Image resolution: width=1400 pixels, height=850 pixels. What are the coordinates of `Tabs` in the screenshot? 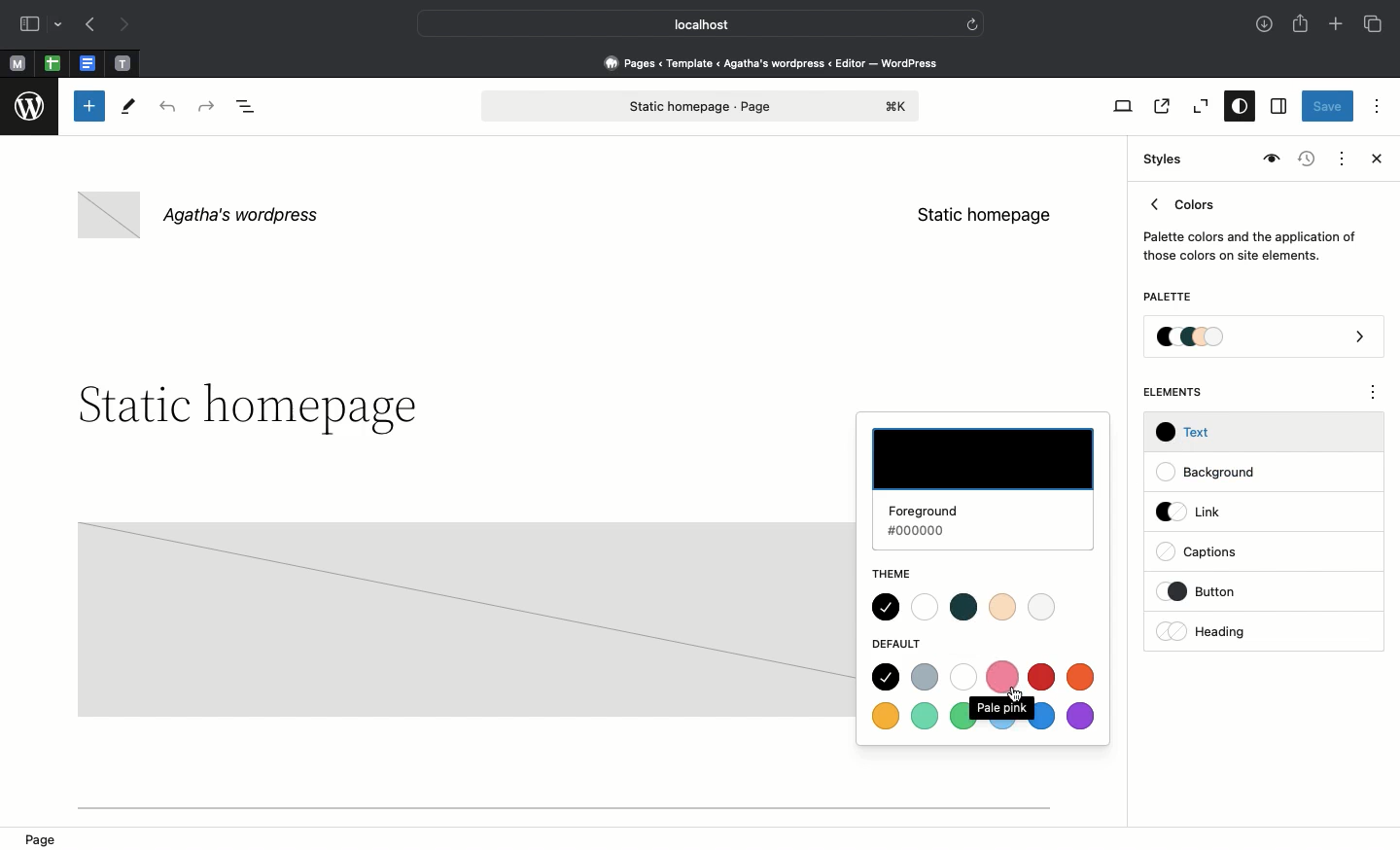 It's located at (1375, 24).